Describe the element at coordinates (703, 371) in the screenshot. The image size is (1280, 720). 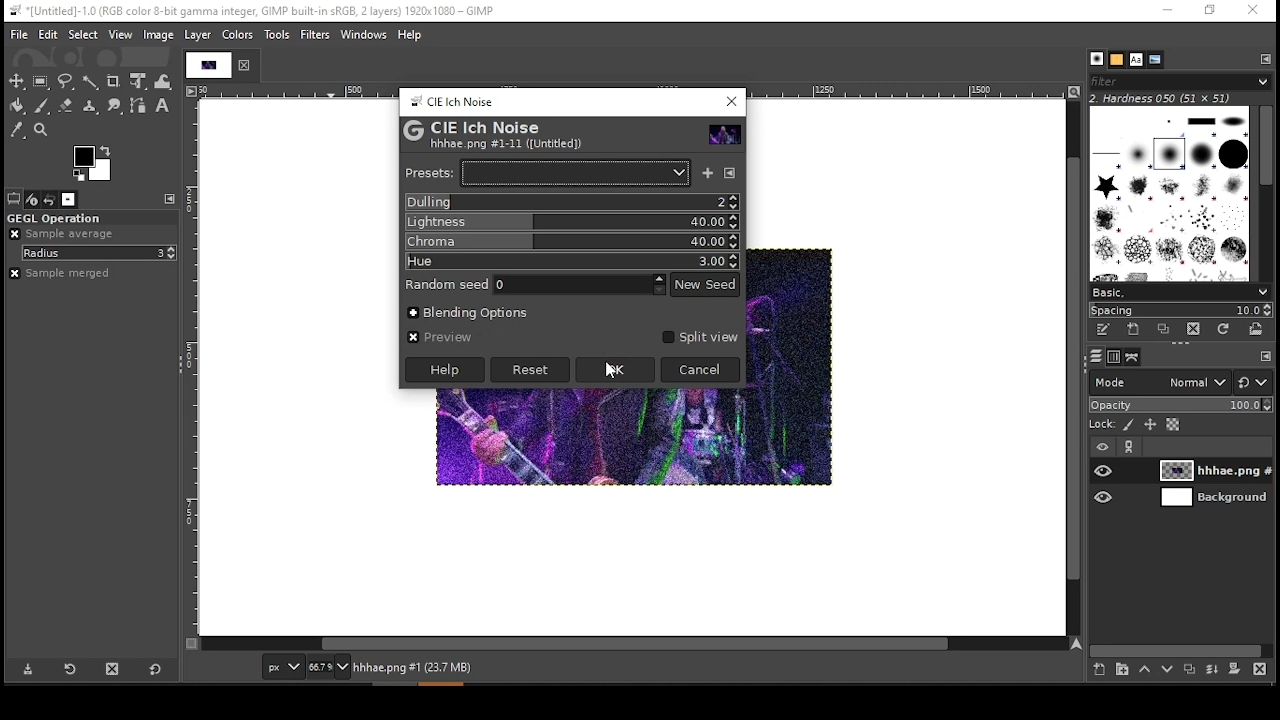
I see `cancel` at that location.